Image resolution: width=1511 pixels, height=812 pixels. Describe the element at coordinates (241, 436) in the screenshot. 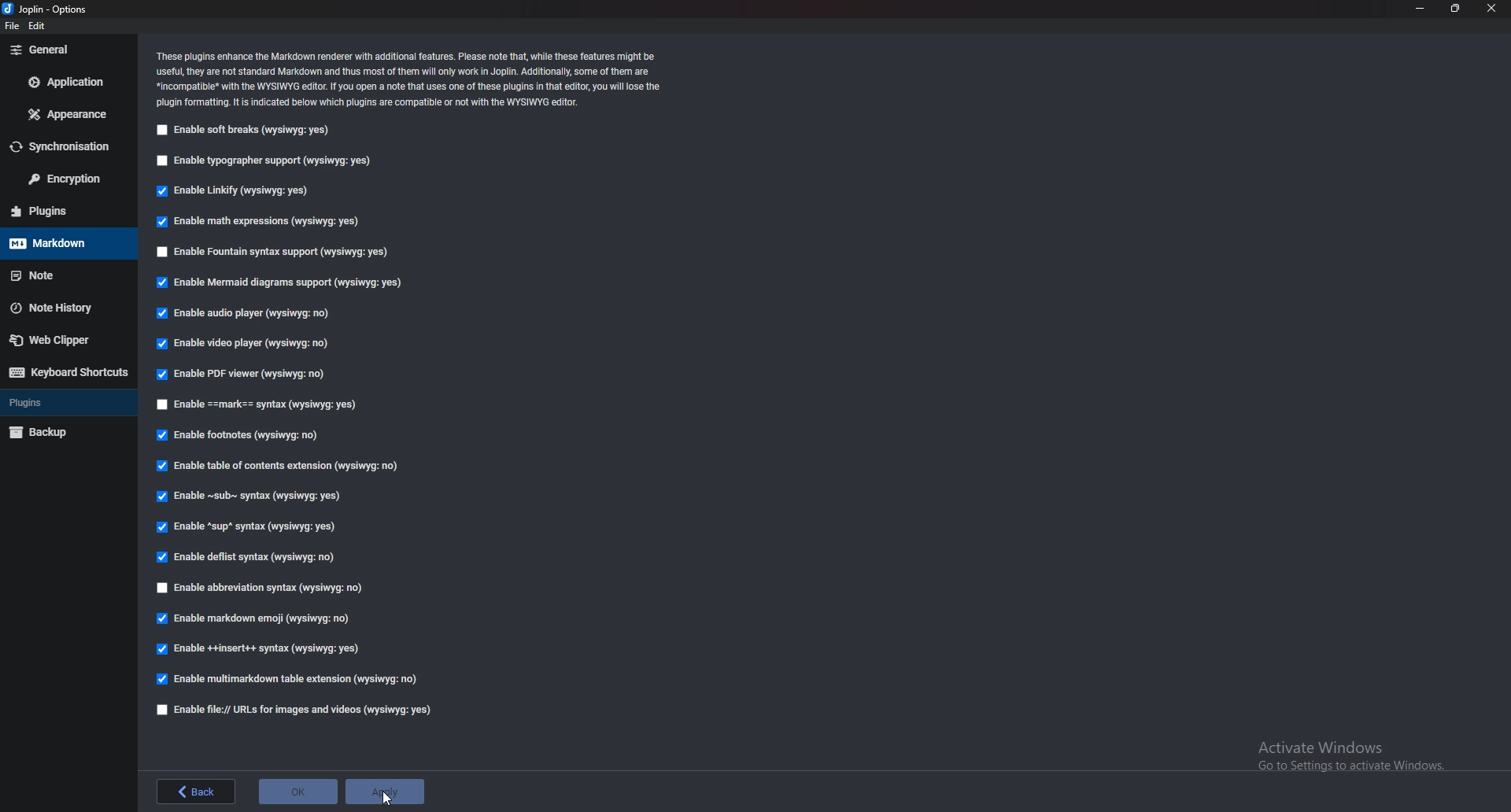

I see `enable footnotes` at that location.